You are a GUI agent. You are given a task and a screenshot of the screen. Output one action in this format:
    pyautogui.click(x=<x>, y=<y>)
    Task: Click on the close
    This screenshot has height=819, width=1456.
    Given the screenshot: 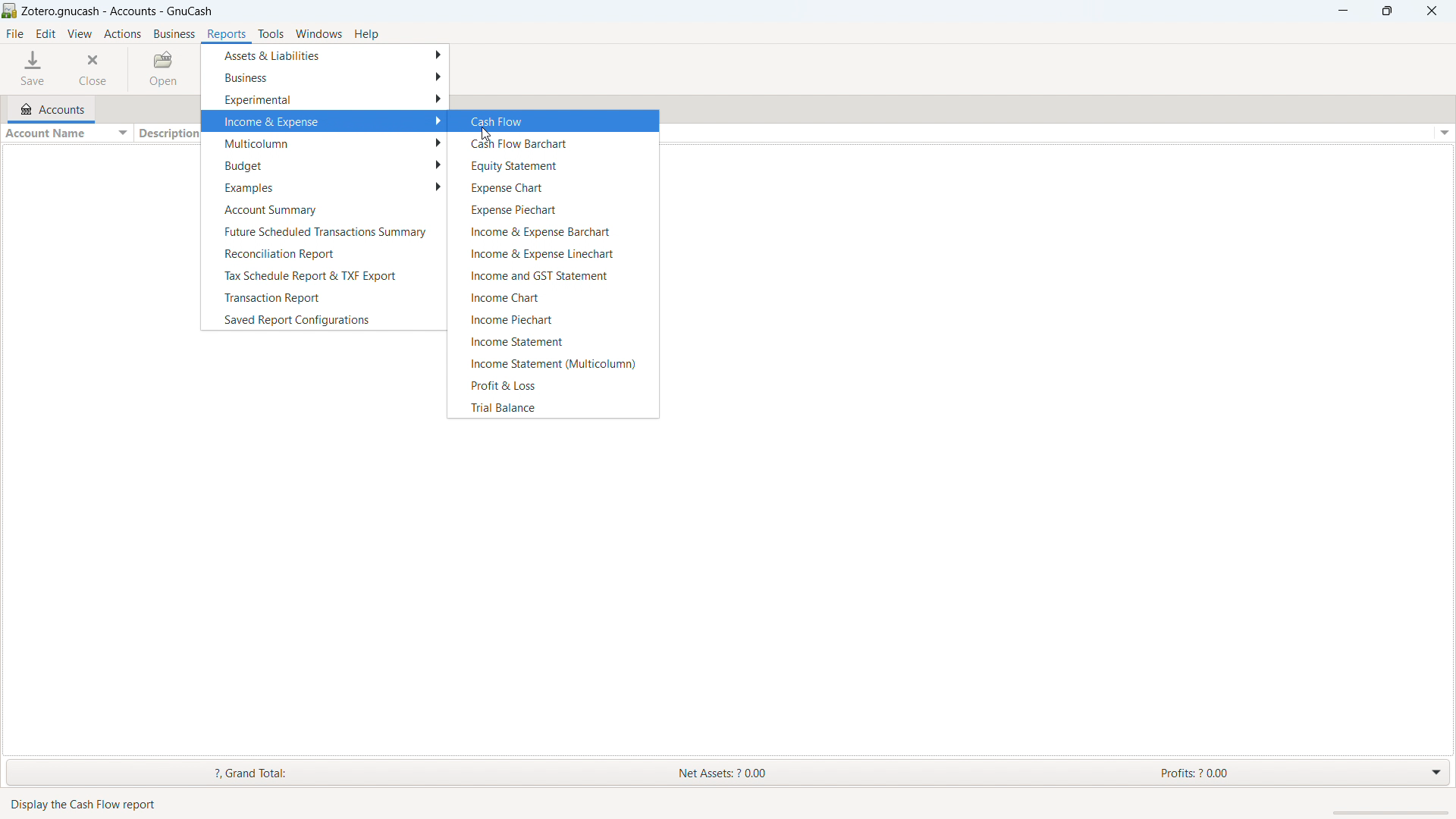 What is the action you would take?
    pyautogui.click(x=1431, y=11)
    